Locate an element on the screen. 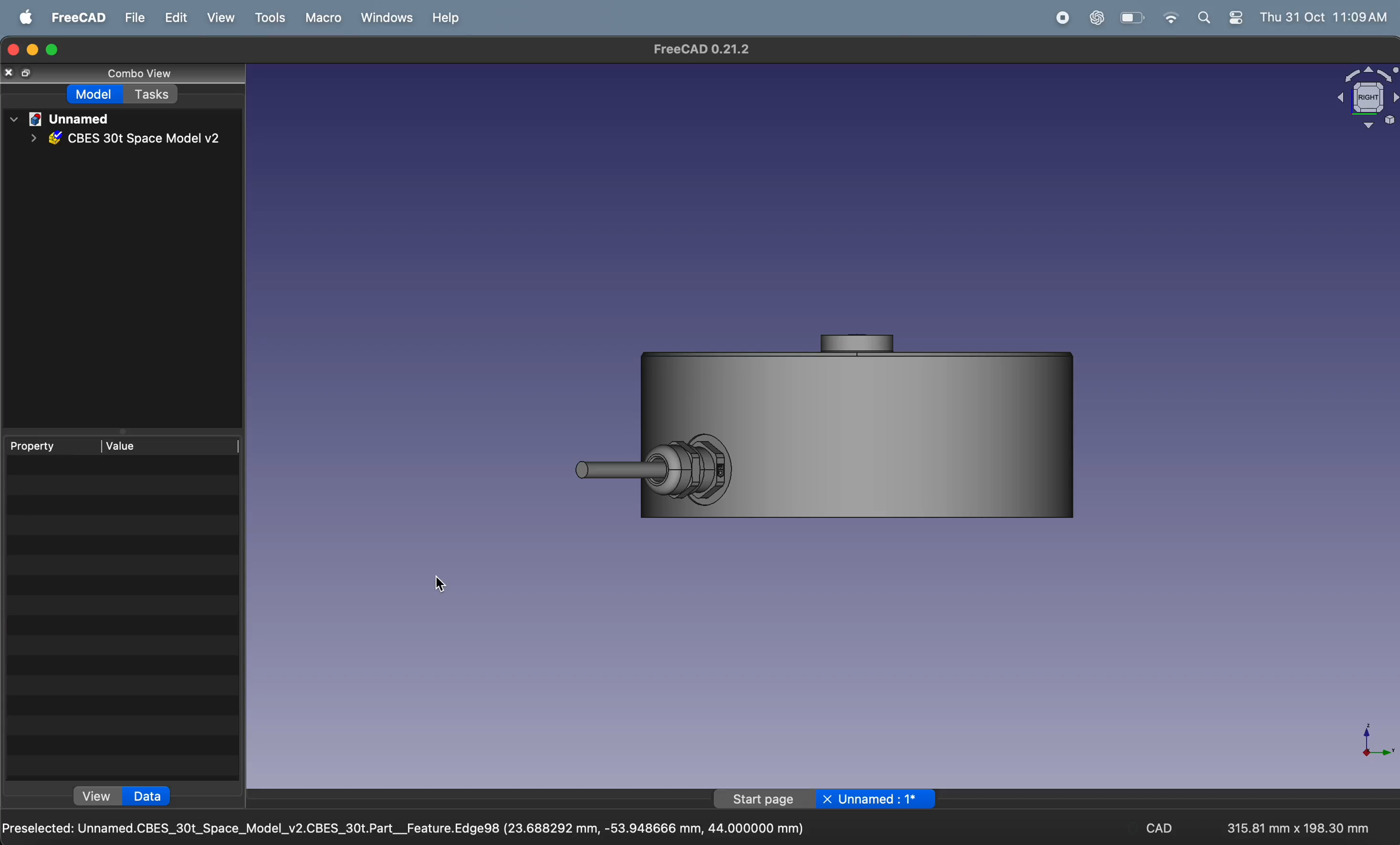 This screenshot has height=845, width=1400. help is located at coordinates (450, 16).